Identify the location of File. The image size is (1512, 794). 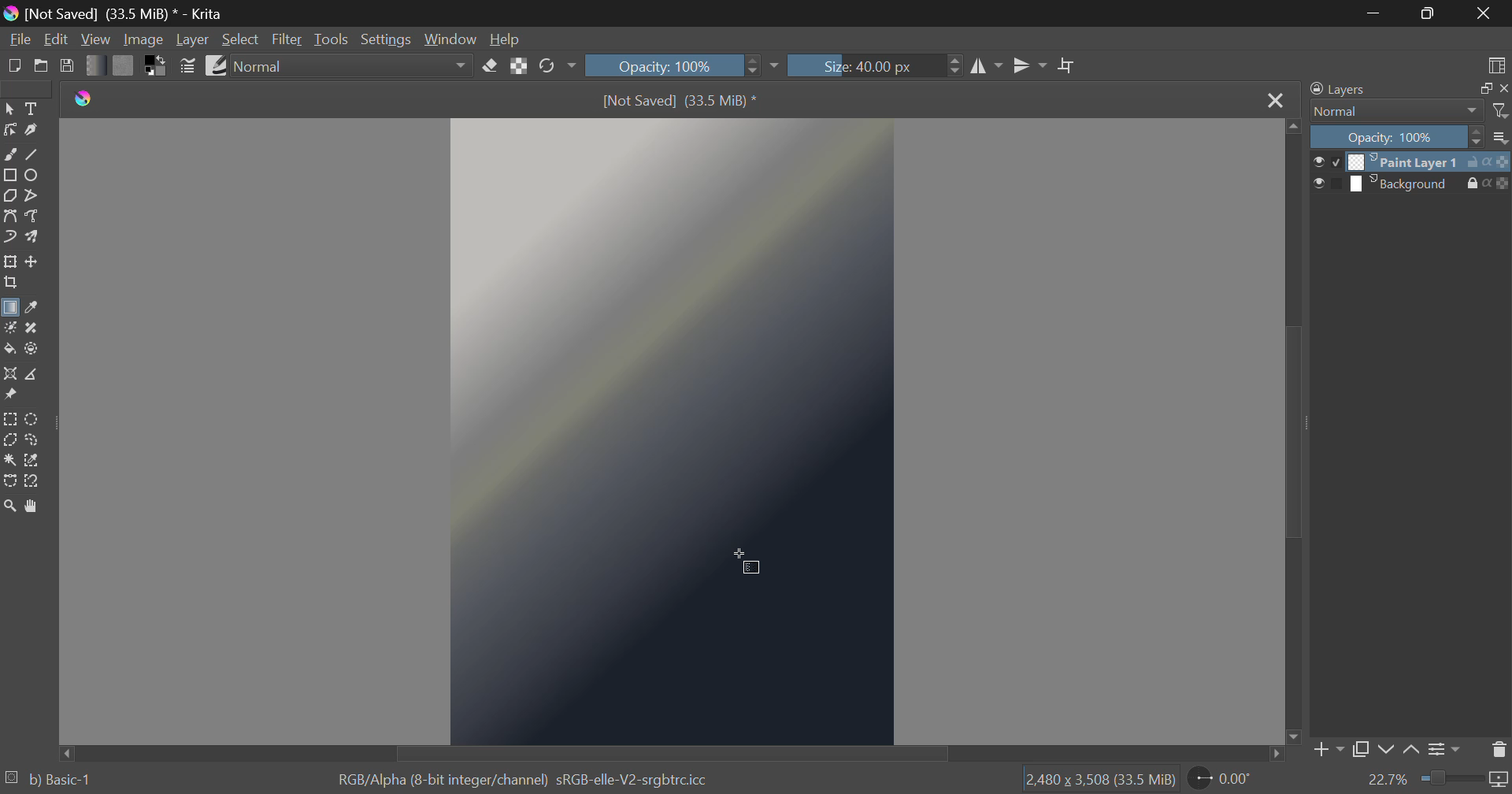
(18, 38).